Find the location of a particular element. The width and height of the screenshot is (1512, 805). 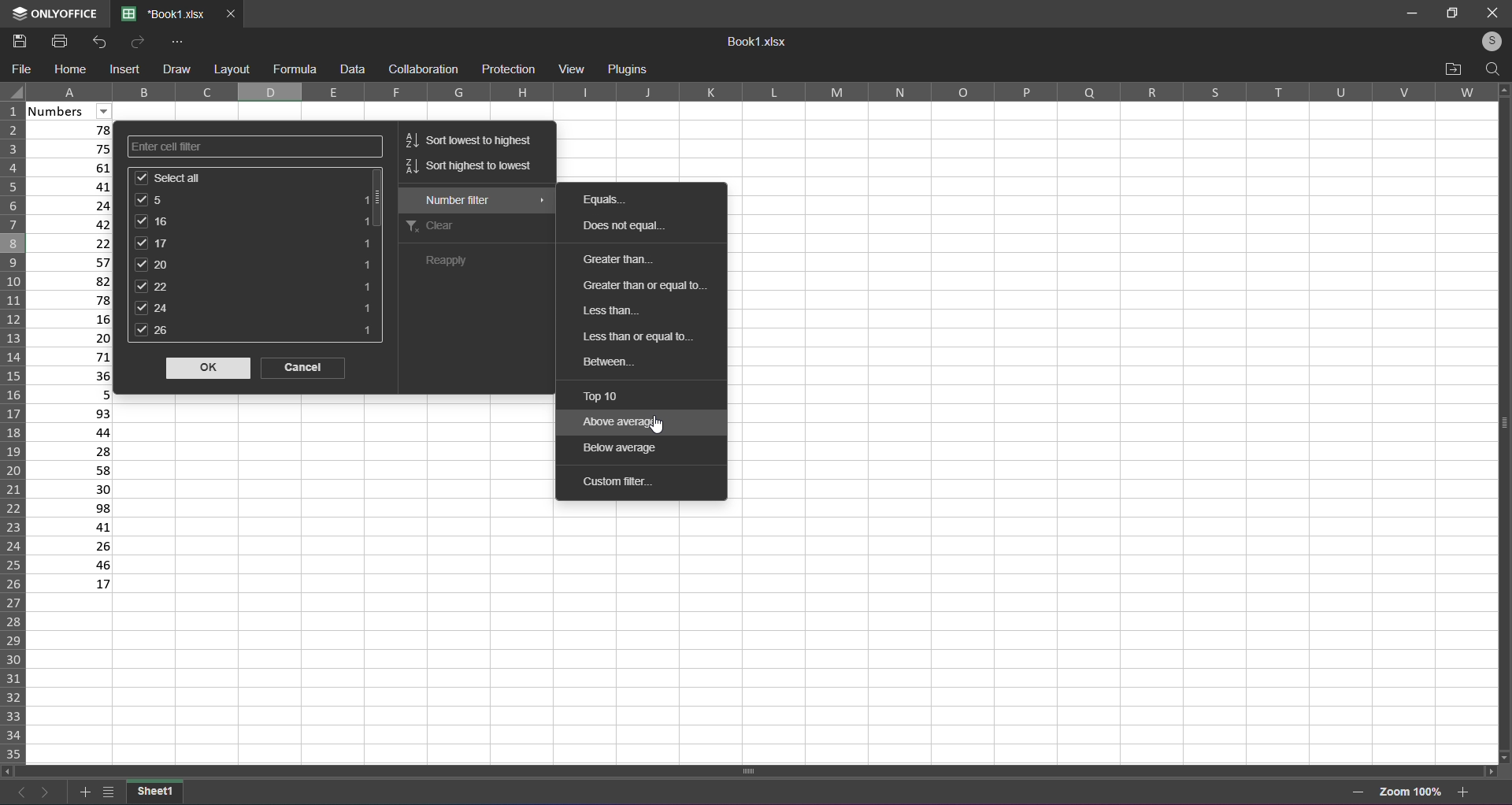

16 is located at coordinates (75, 319).